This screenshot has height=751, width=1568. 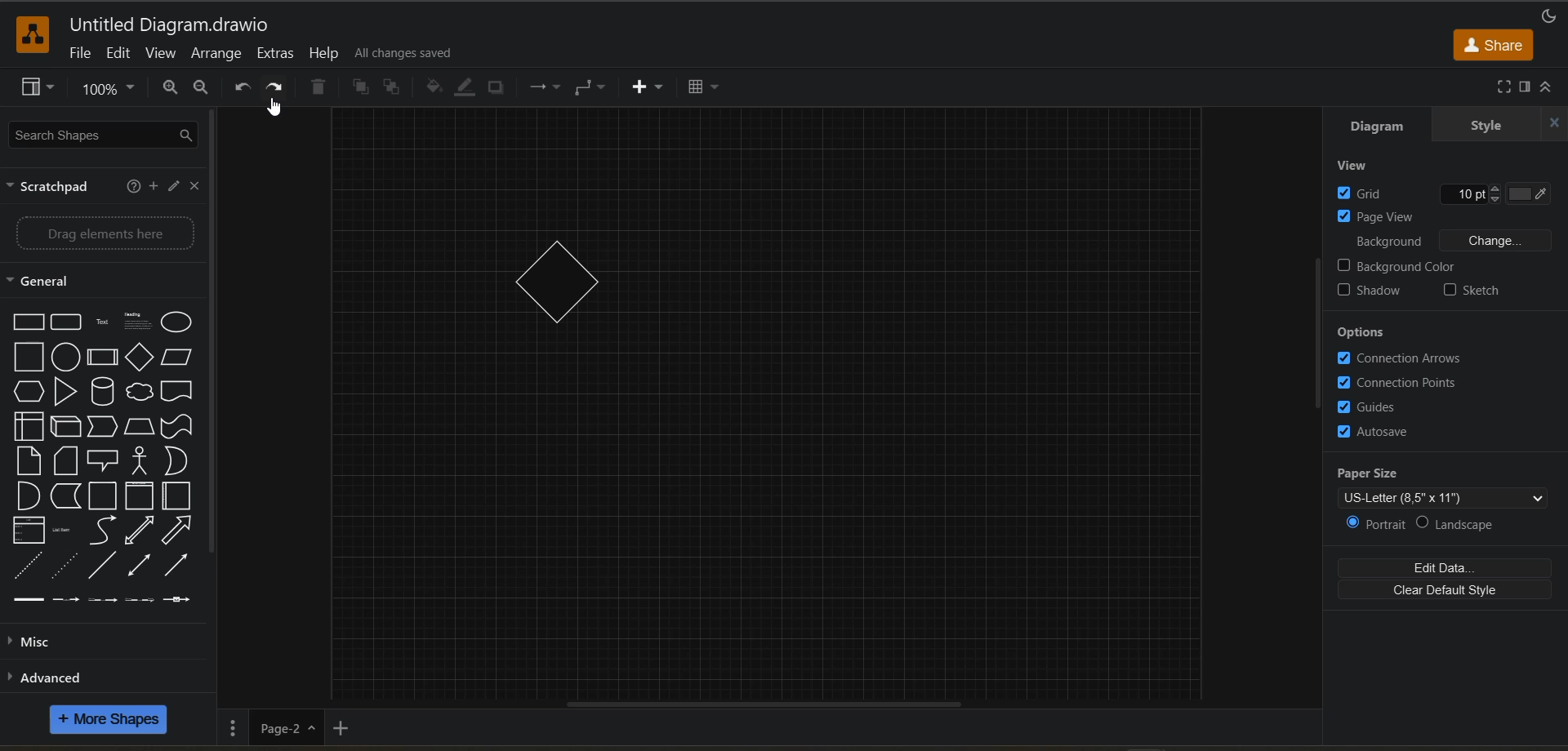 What do you see at coordinates (28, 530) in the screenshot?
I see `list` at bounding box center [28, 530].